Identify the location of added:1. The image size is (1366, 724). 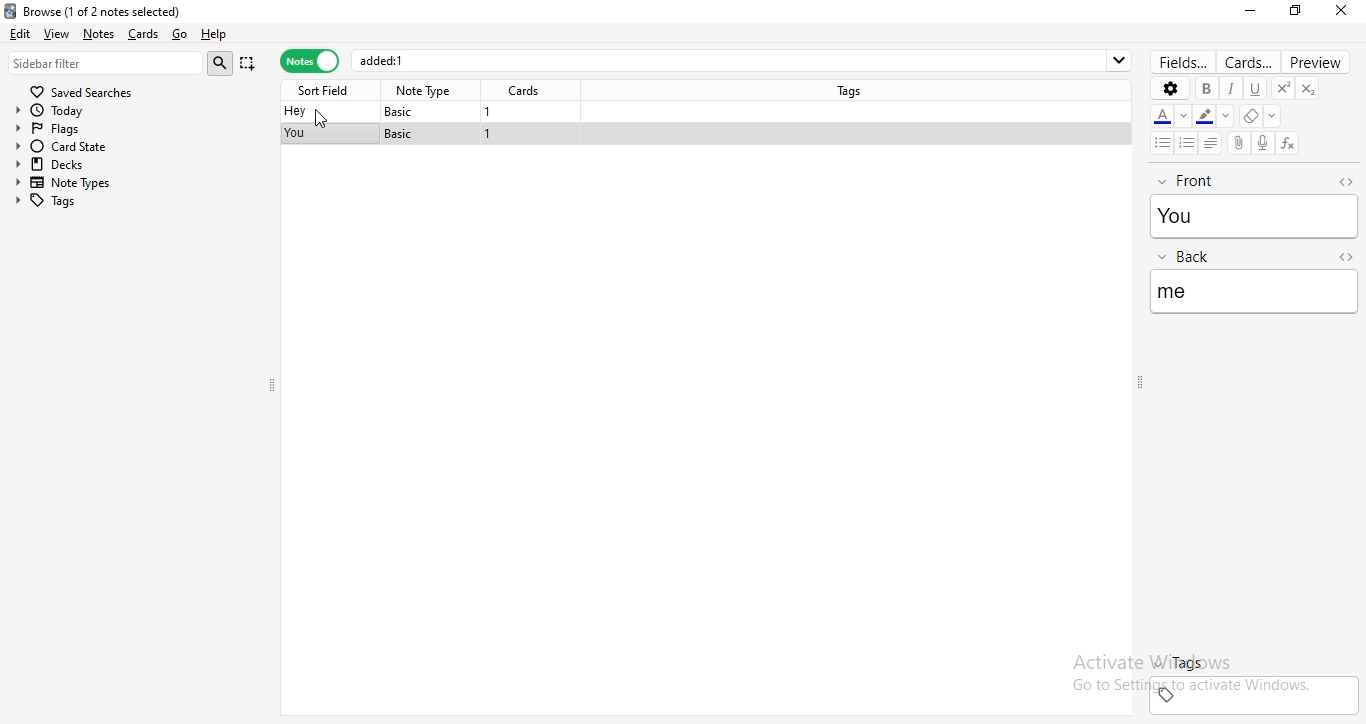
(745, 60).